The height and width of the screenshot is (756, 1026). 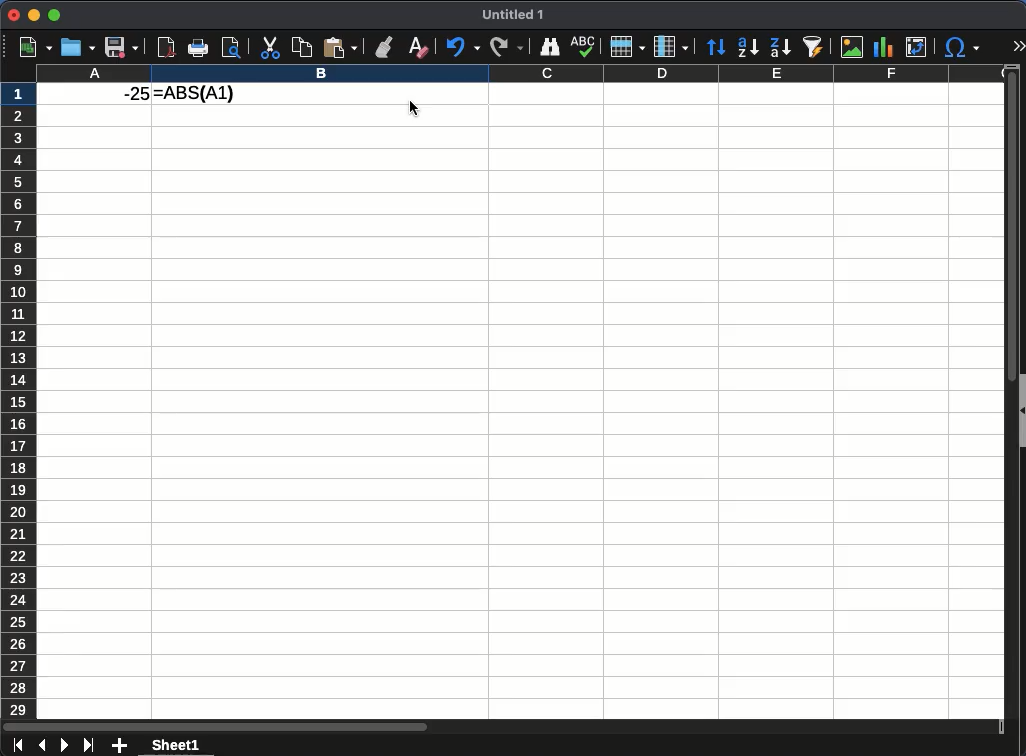 What do you see at coordinates (671, 45) in the screenshot?
I see `column` at bounding box center [671, 45].